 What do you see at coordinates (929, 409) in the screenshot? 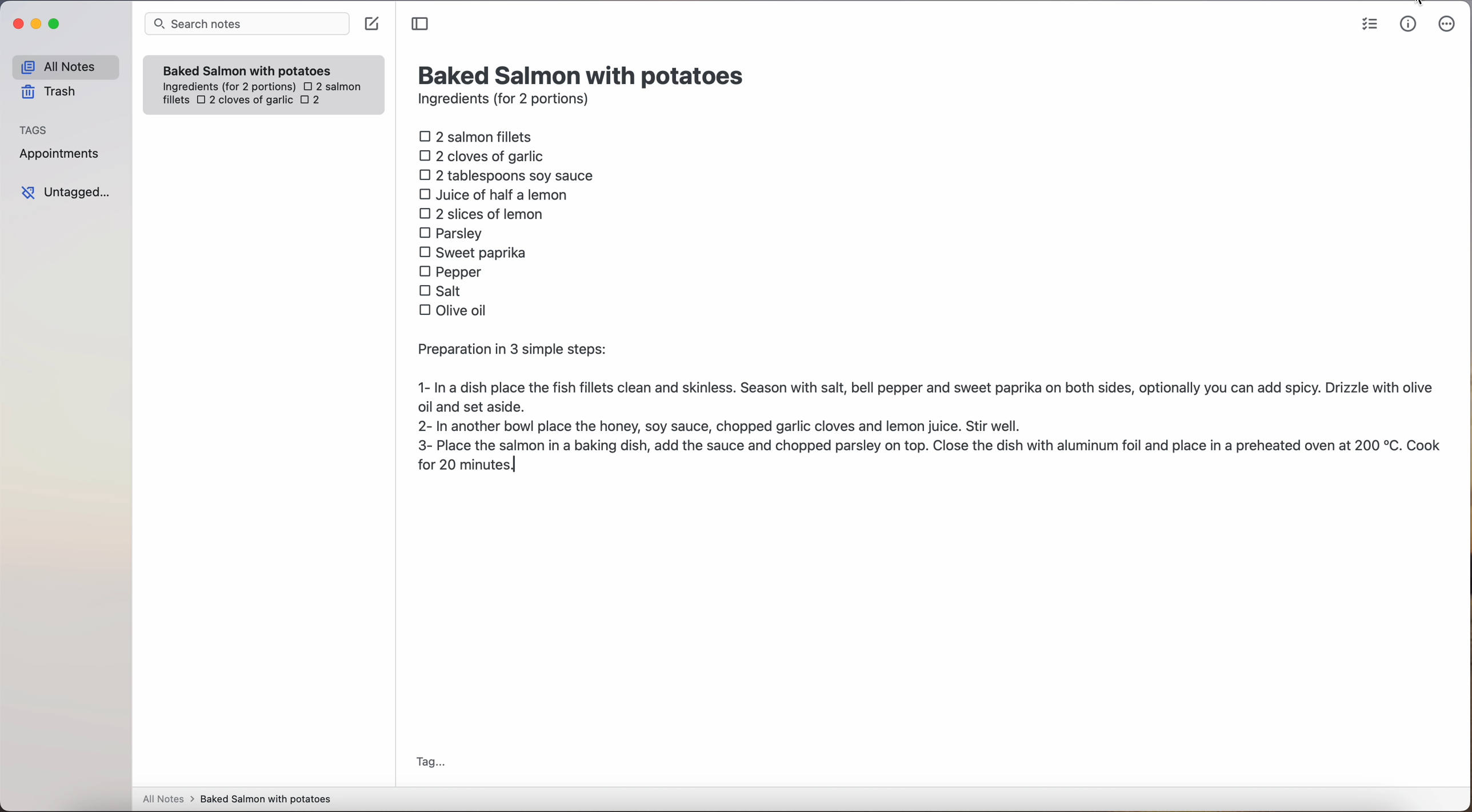
I see `preparation in 3 simple steps` at bounding box center [929, 409].